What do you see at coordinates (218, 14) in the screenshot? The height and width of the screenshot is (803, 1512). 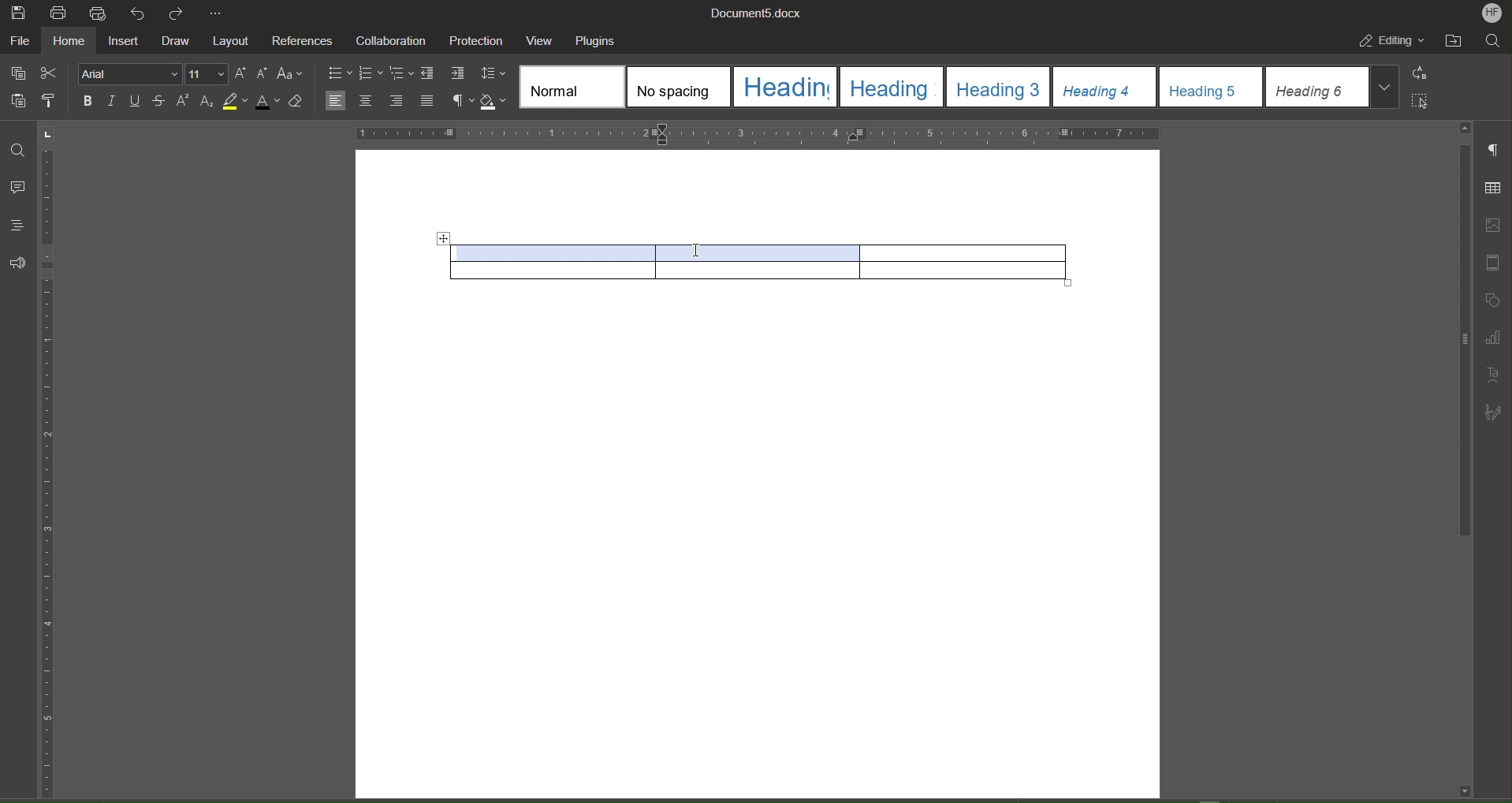 I see `More` at bounding box center [218, 14].